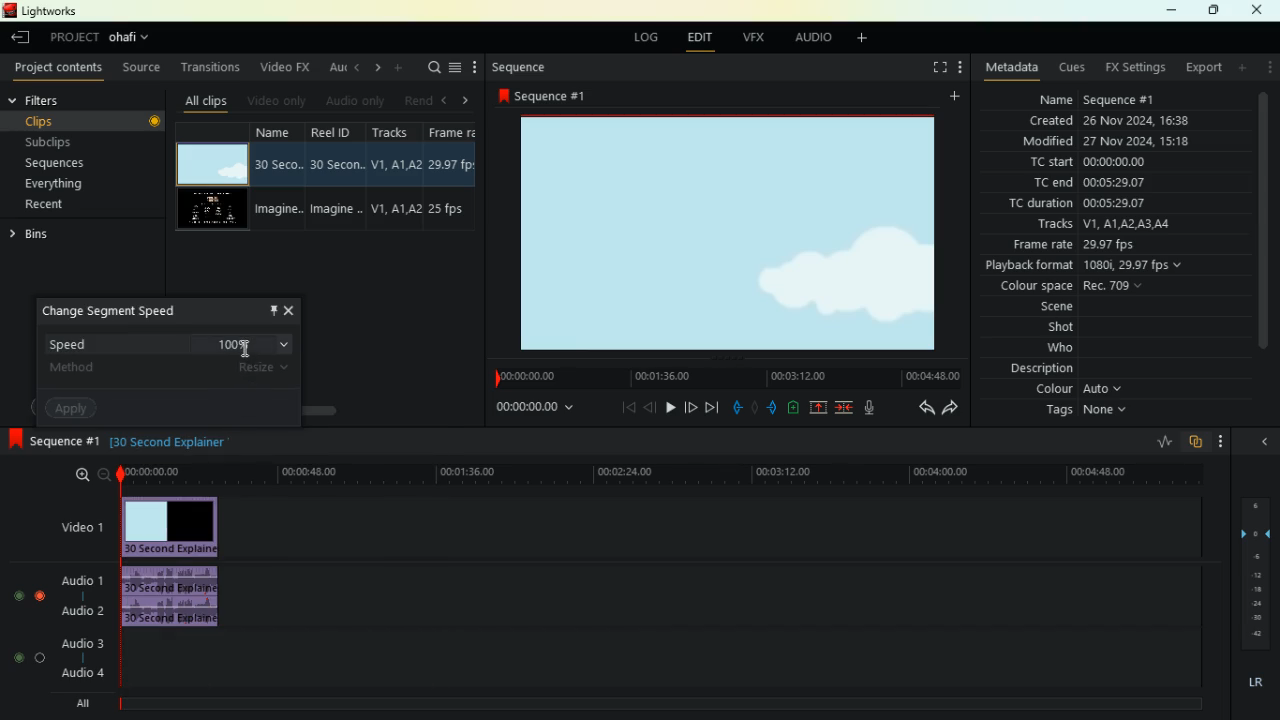  I want to click on more, so click(1221, 441).